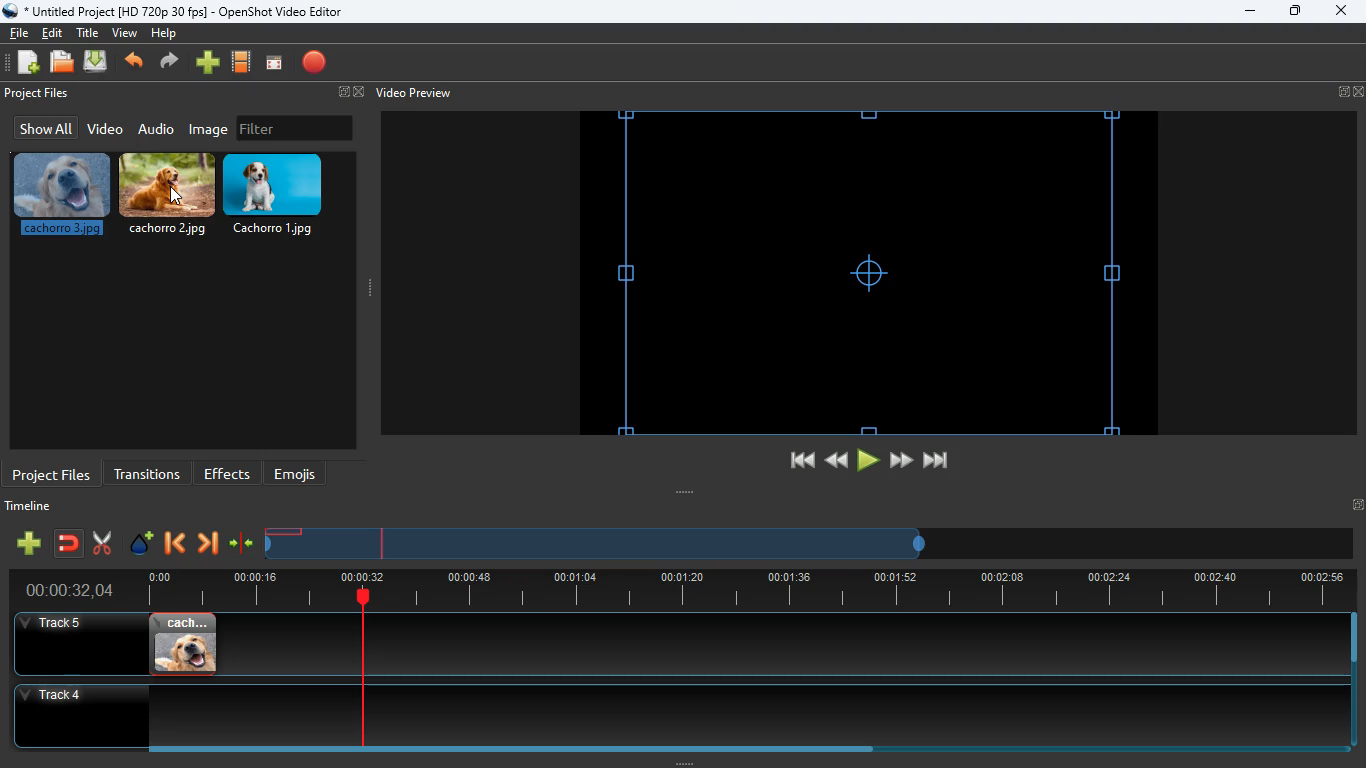 Image resolution: width=1366 pixels, height=768 pixels. What do you see at coordinates (242, 63) in the screenshot?
I see `film` at bounding box center [242, 63].